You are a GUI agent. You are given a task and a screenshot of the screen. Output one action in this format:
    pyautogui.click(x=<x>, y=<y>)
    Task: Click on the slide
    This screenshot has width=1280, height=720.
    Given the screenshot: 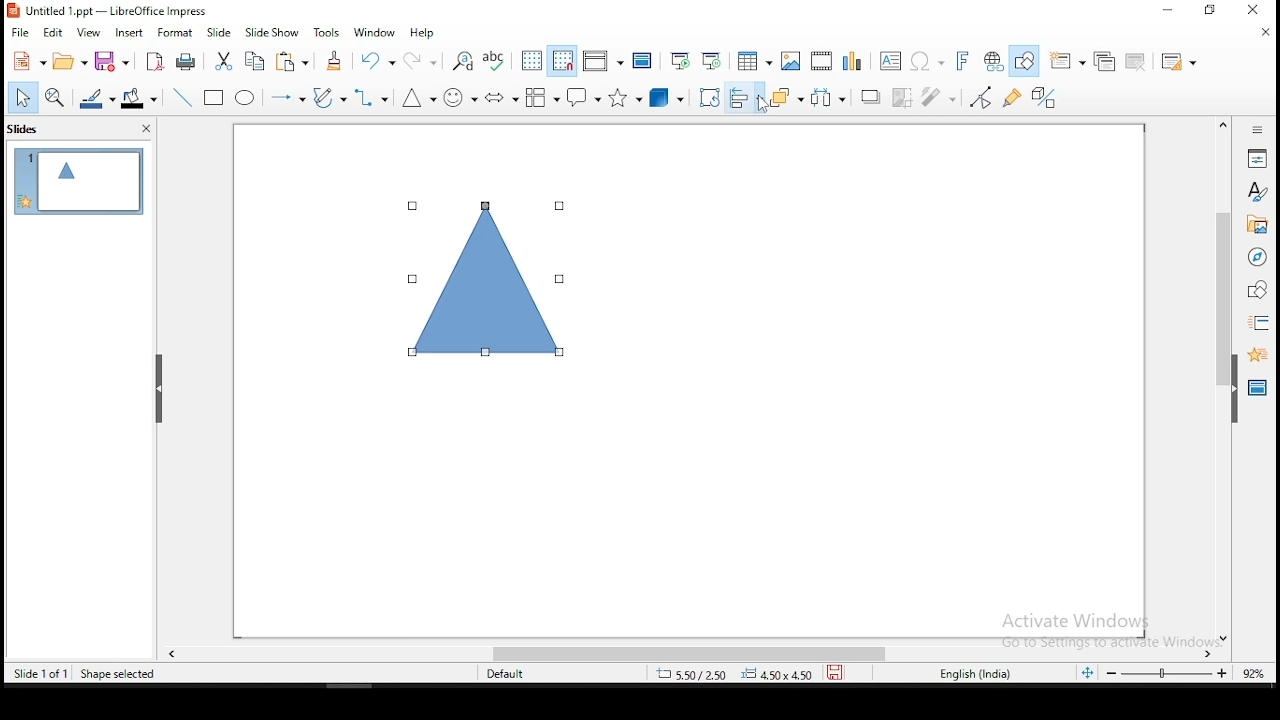 What is the action you would take?
    pyautogui.click(x=220, y=30)
    